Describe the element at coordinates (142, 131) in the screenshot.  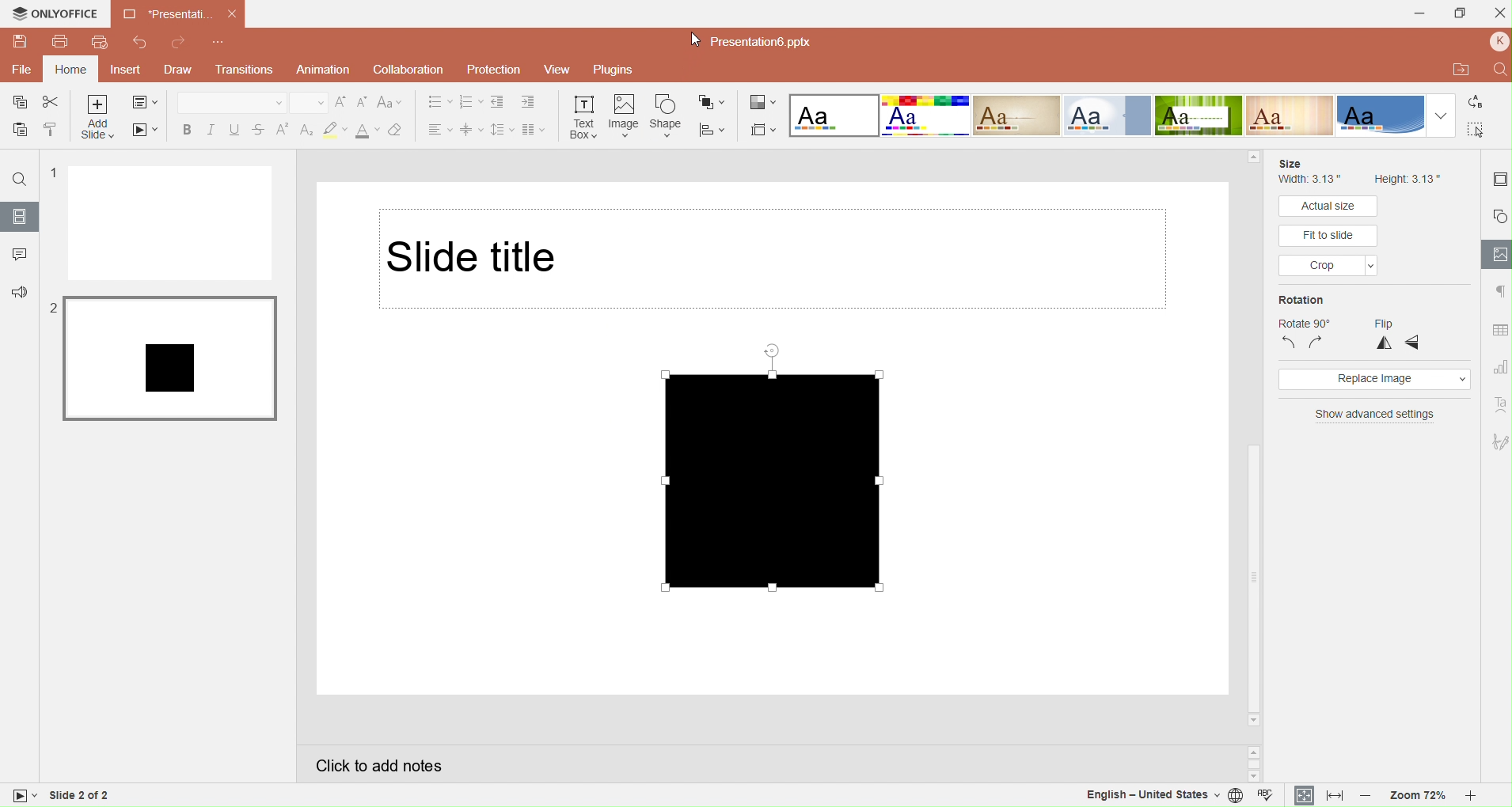
I see `Start slide show` at that location.